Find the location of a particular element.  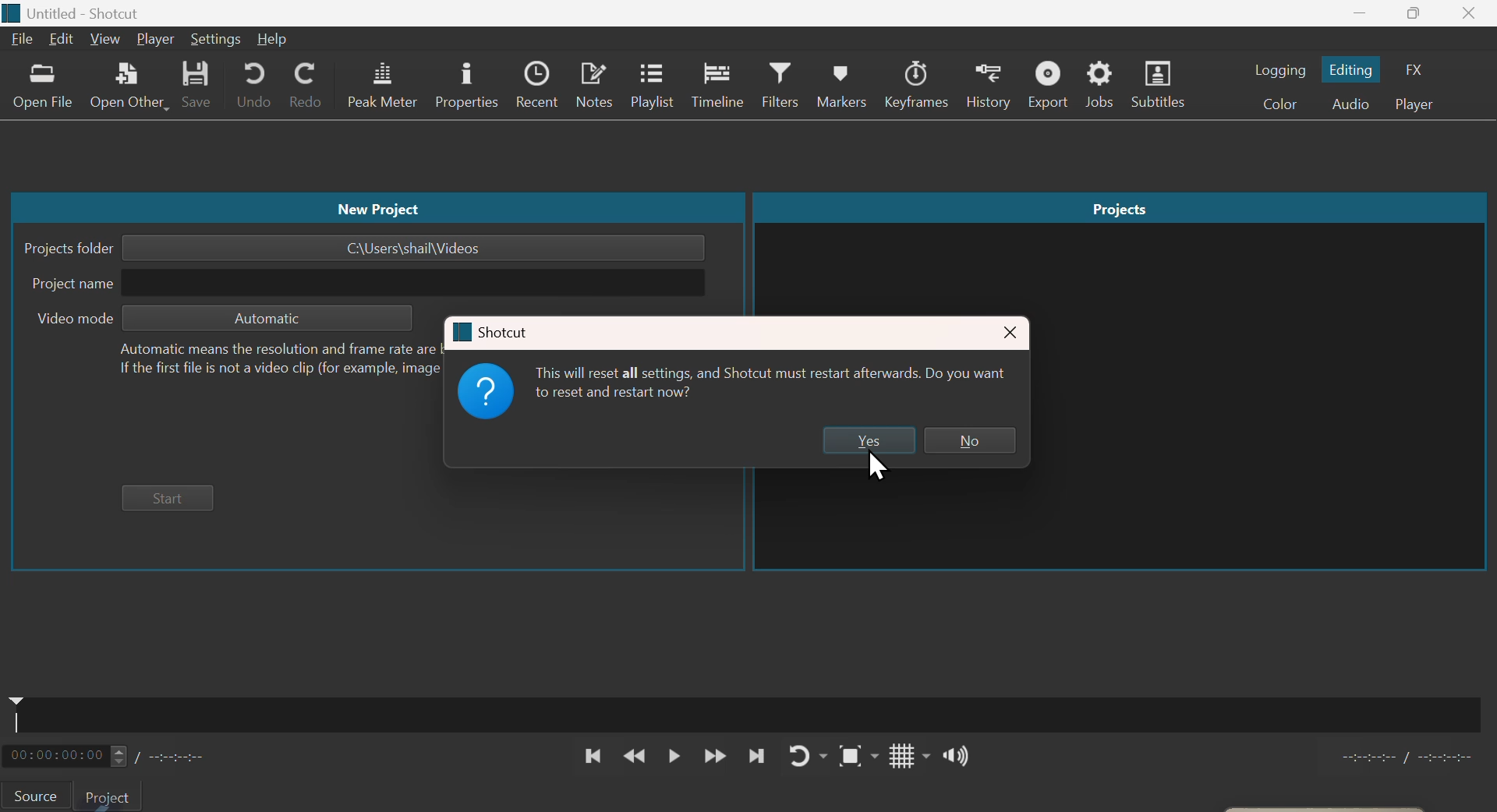

Colour is located at coordinates (1279, 105).